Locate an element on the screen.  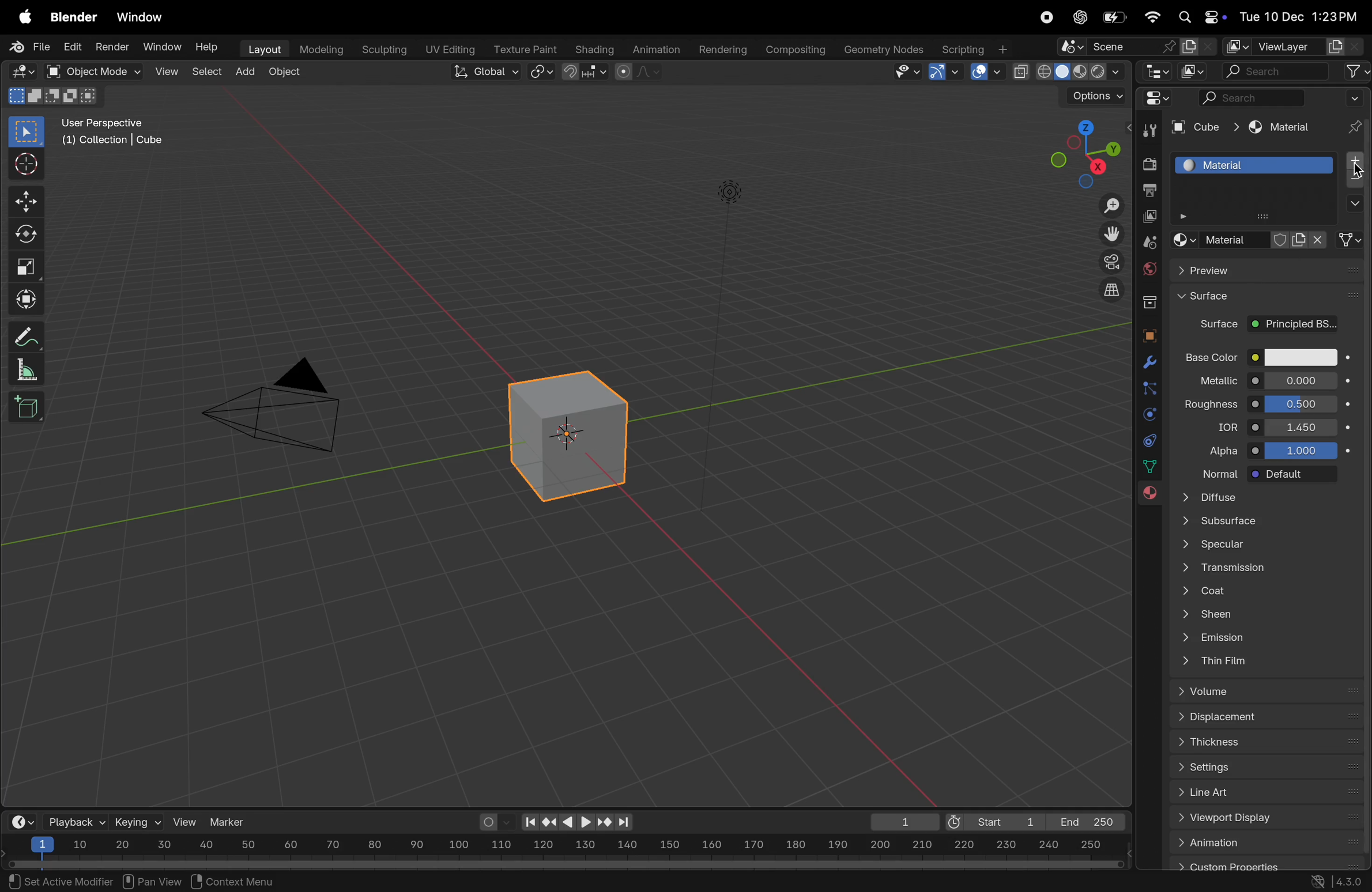
settings is located at coordinates (1264, 767).